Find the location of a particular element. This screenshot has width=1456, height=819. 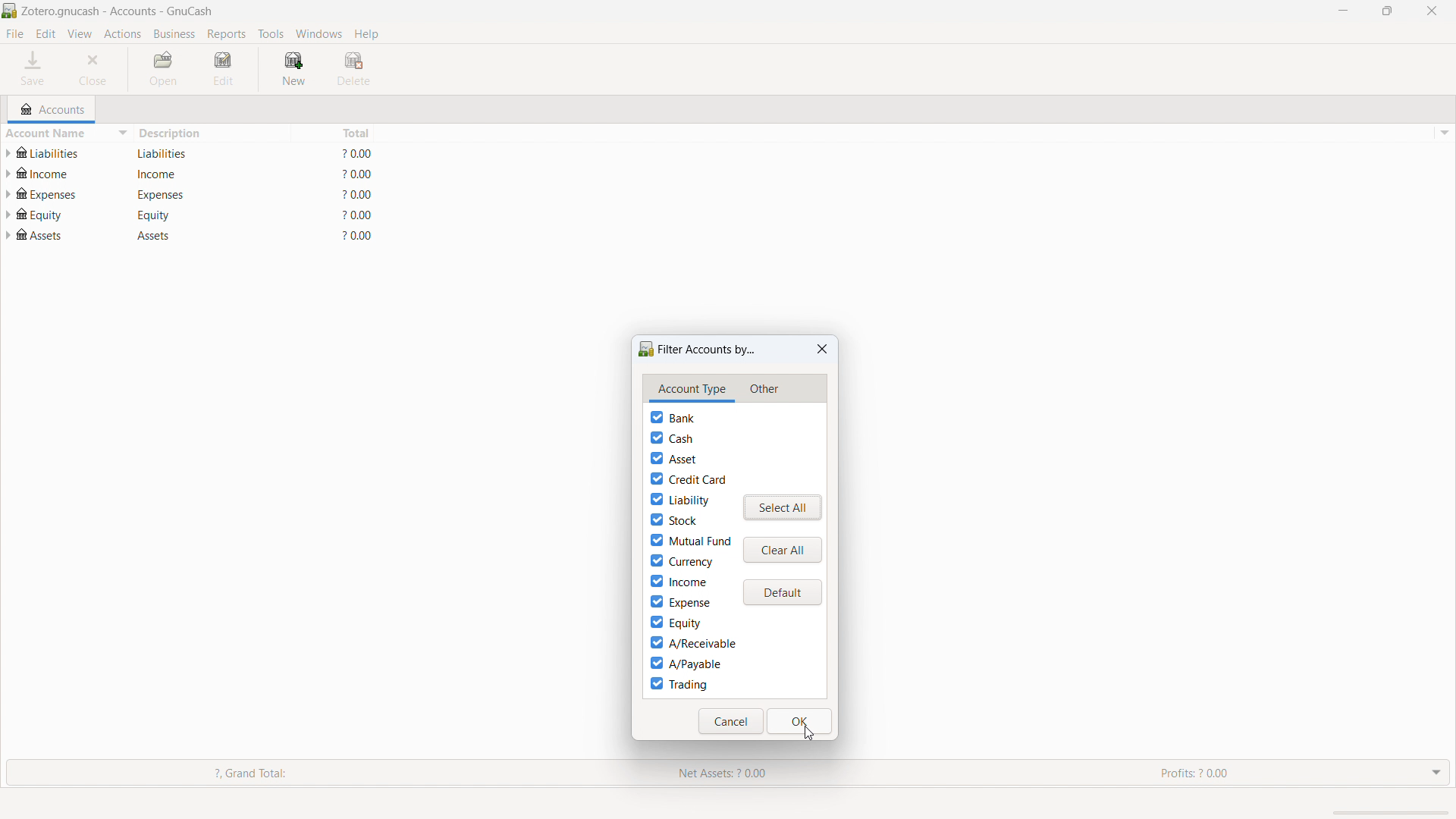

description is located at coordinates (171, 156).